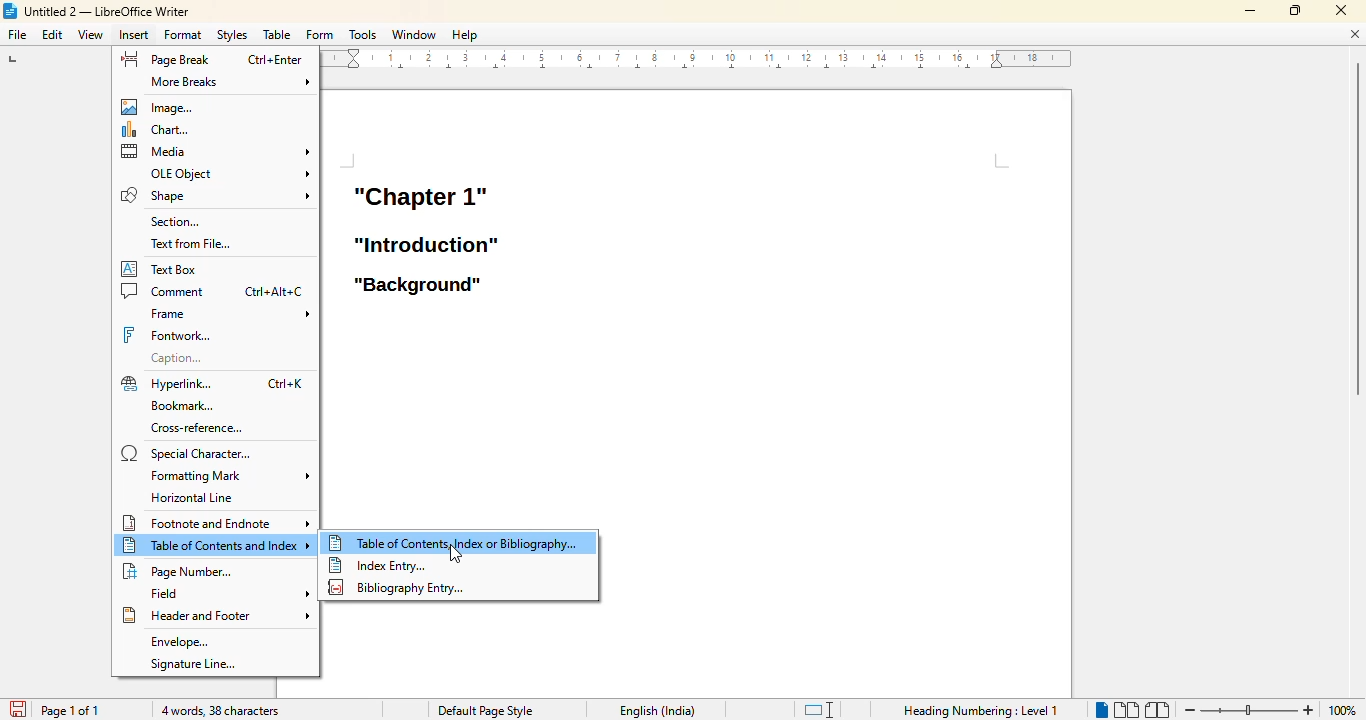  What do you see at coordinates (377, 565) in the screenshot?
I see `index entry` at bounding box center [377, 565].